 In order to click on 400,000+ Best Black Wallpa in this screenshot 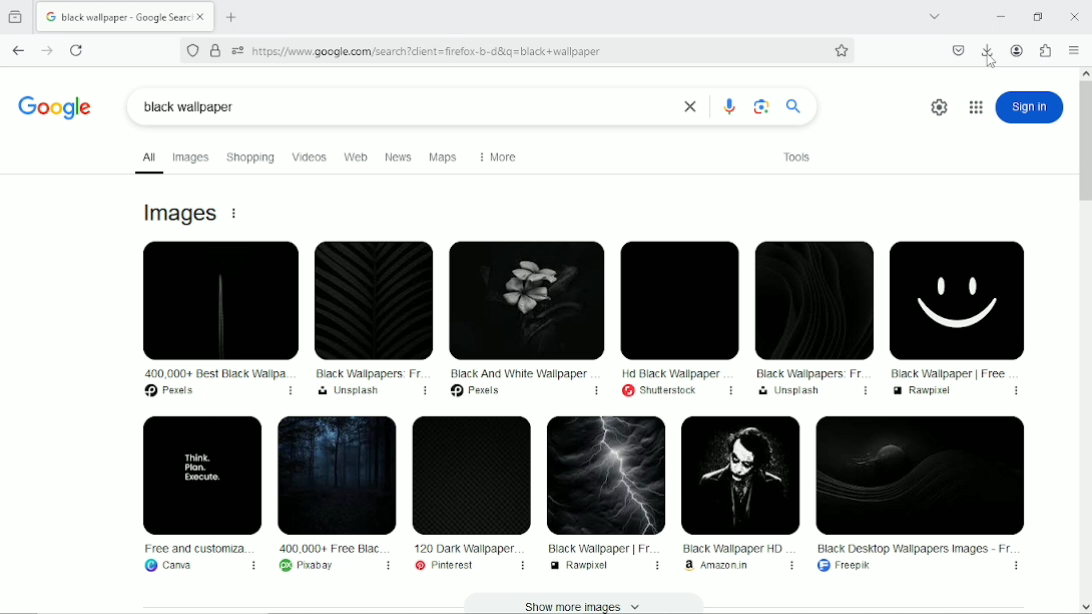, I will do `click(214, 318)`.